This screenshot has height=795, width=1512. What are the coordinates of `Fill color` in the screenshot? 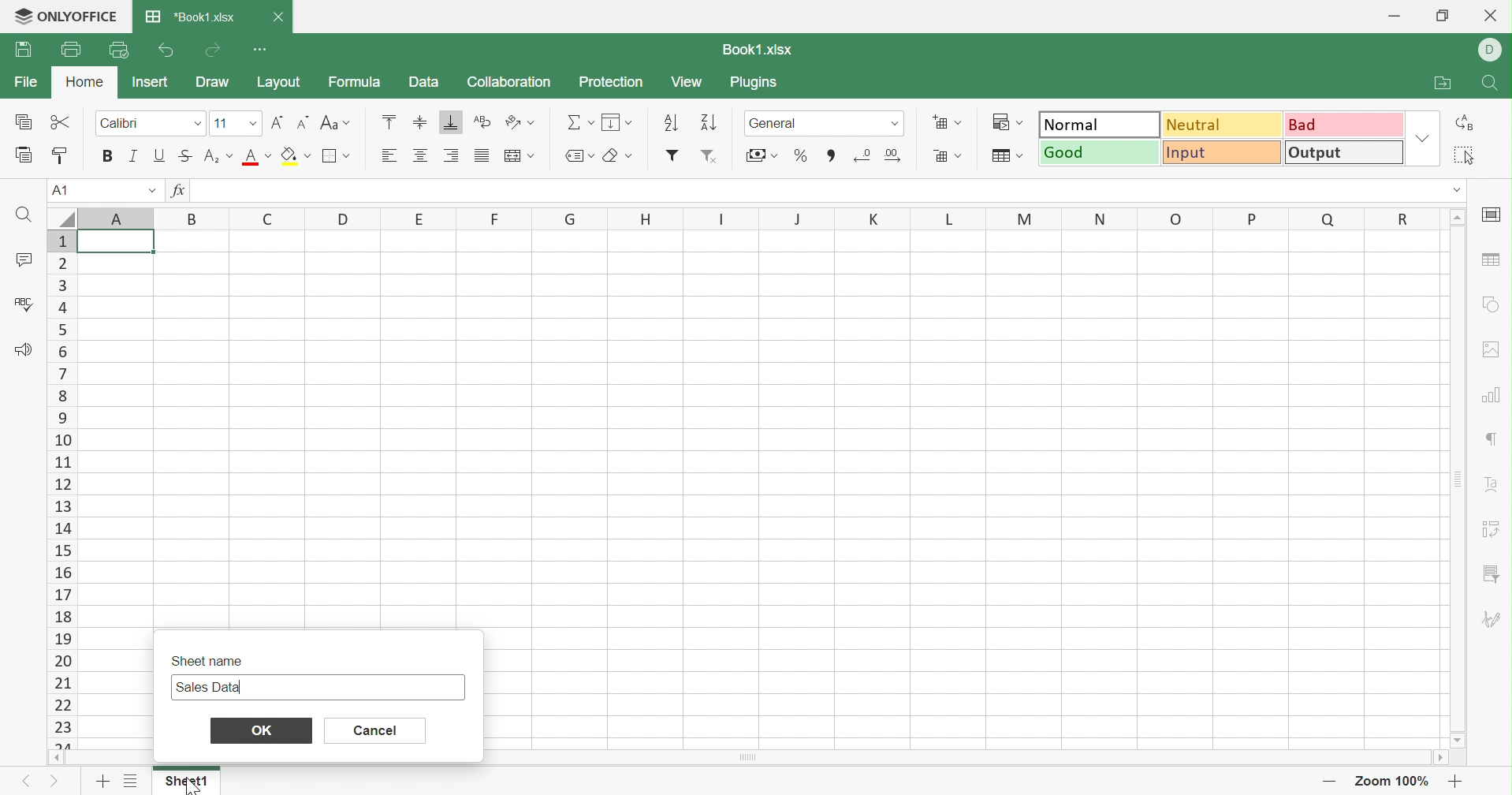 It's located at (298, 155).